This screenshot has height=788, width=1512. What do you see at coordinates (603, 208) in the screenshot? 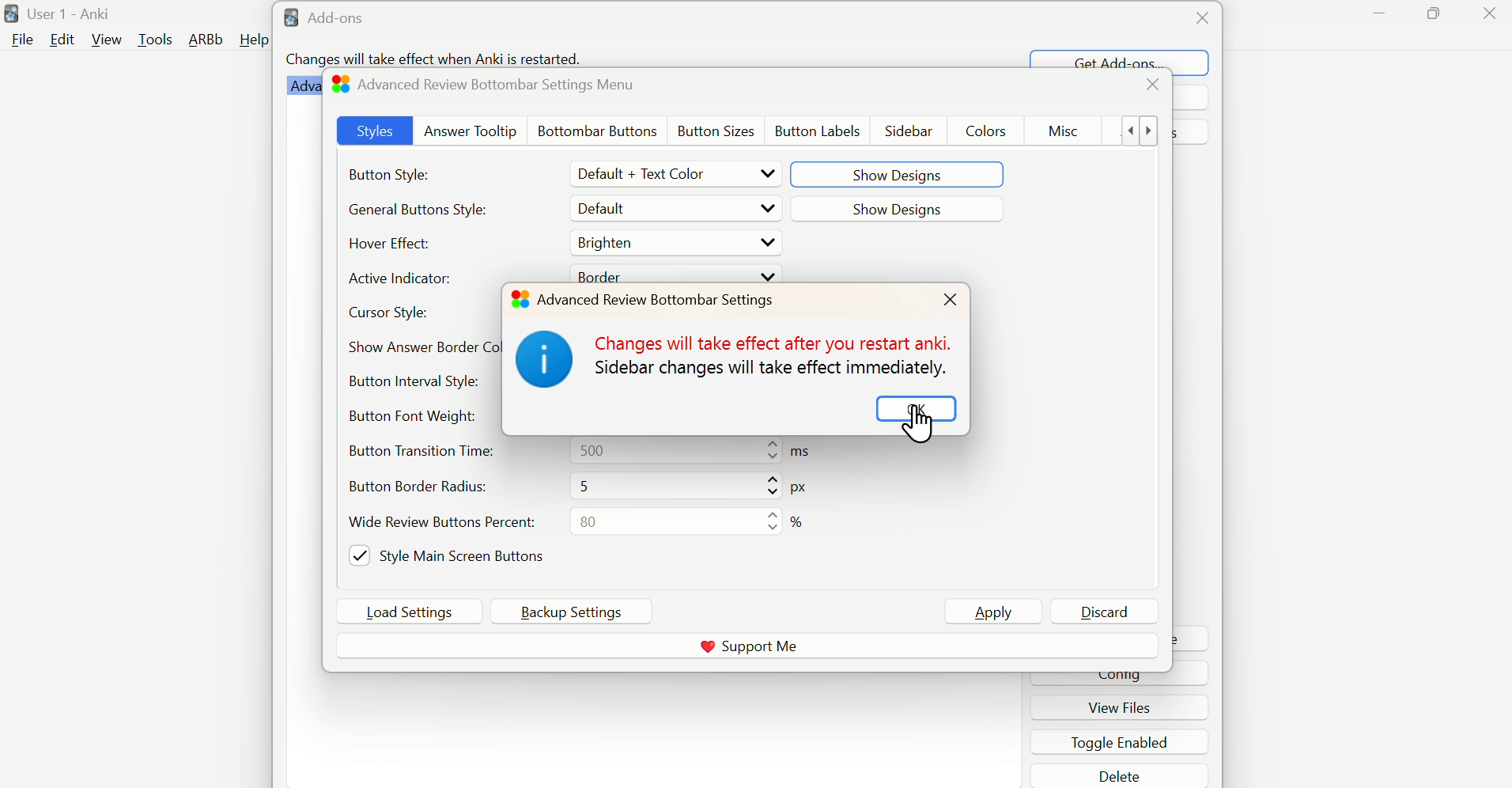
I see `Default` at bounding box center [603, 208].